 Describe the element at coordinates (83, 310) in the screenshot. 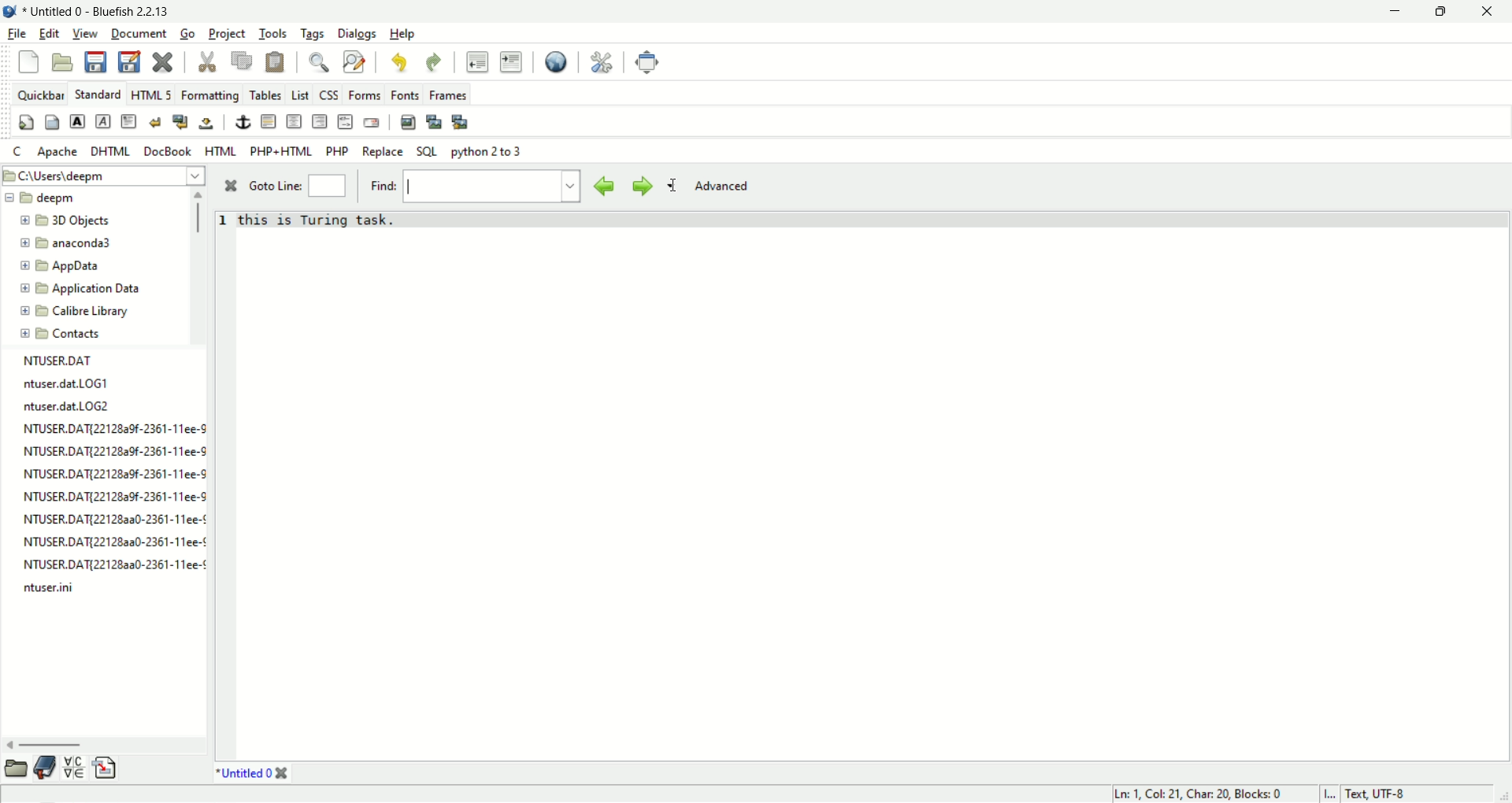

I see `Calibre Library` at that location.